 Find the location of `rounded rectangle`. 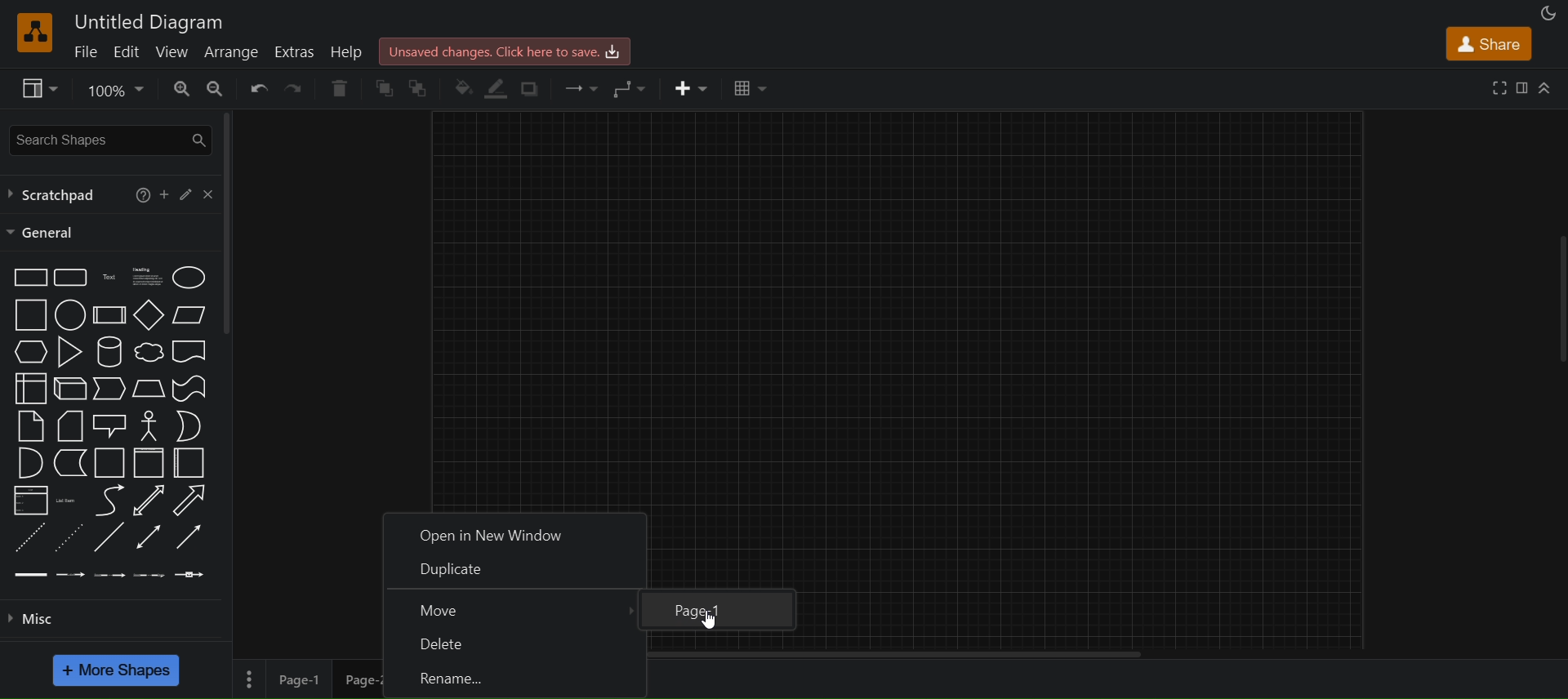

rounded rectangle is located at coordinates (70, 277).